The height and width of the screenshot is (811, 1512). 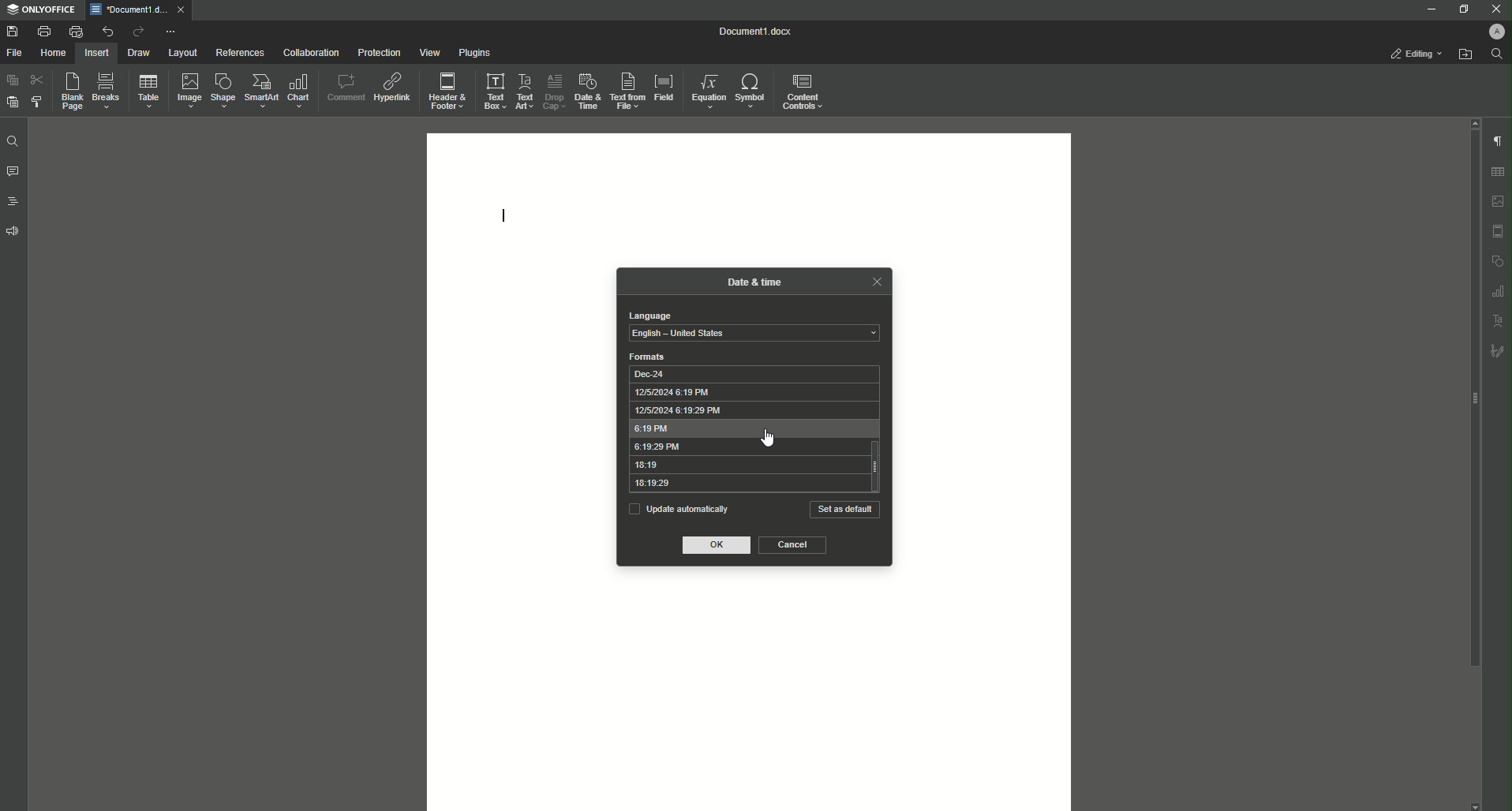 What do you see at coordinates (1475, 806) in the screenshot?
I see `scroll down` at bounding box center [1475, 806].